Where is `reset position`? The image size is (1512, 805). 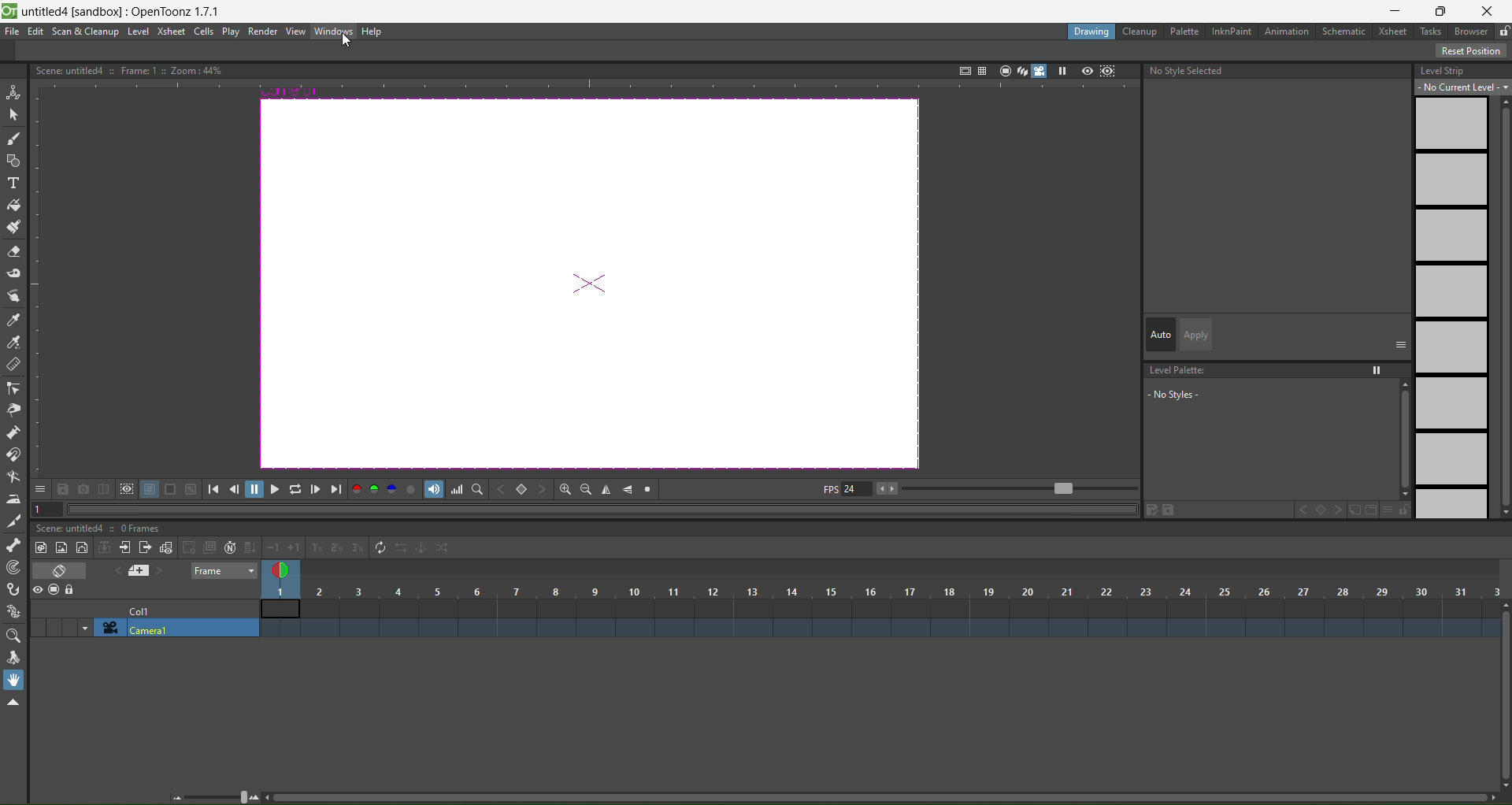
reset position is located at coordinates (1473, 51).